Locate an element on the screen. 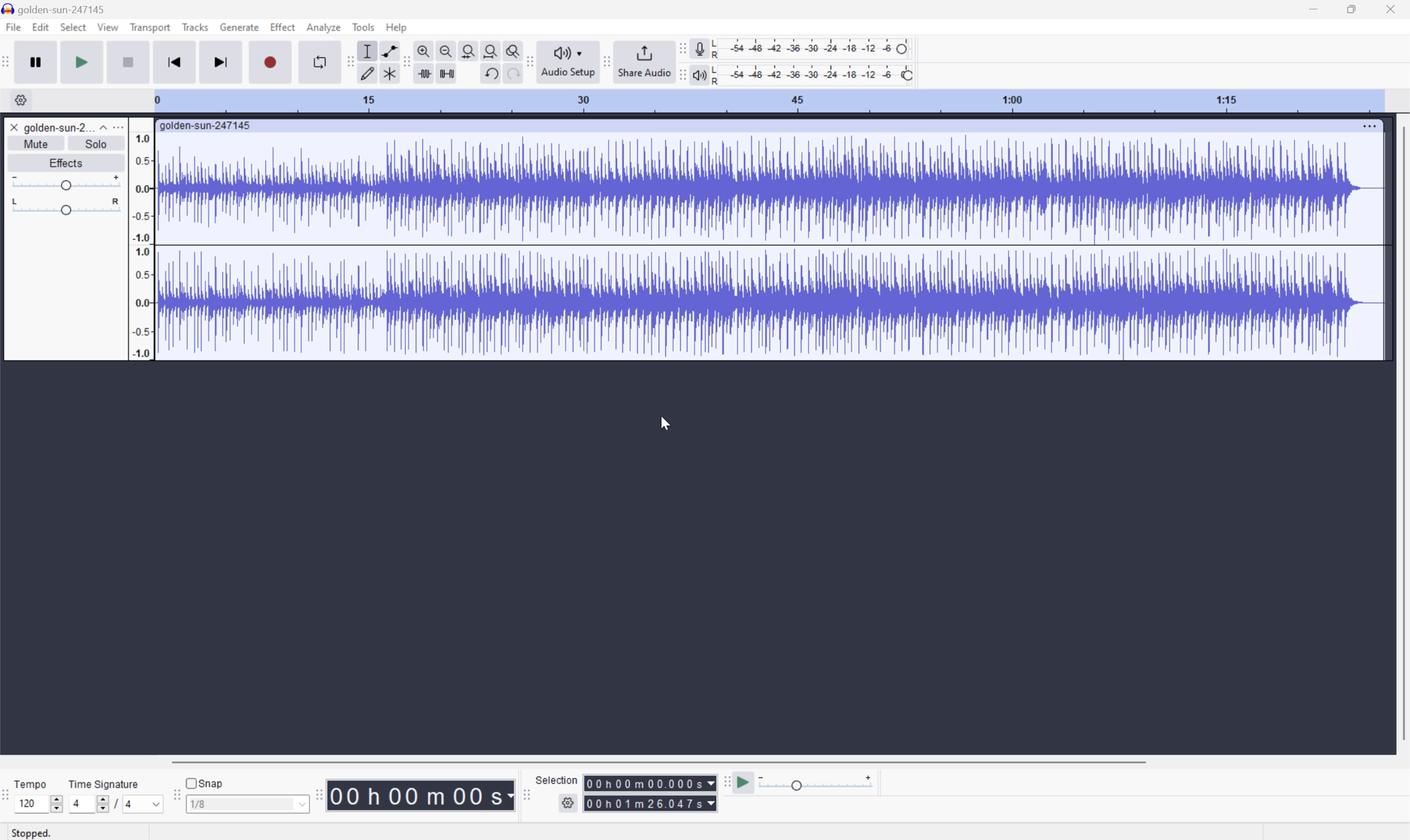 The height and width of the screenshot is (840, 1410). Skip to start is located at coordinates (174, 62).